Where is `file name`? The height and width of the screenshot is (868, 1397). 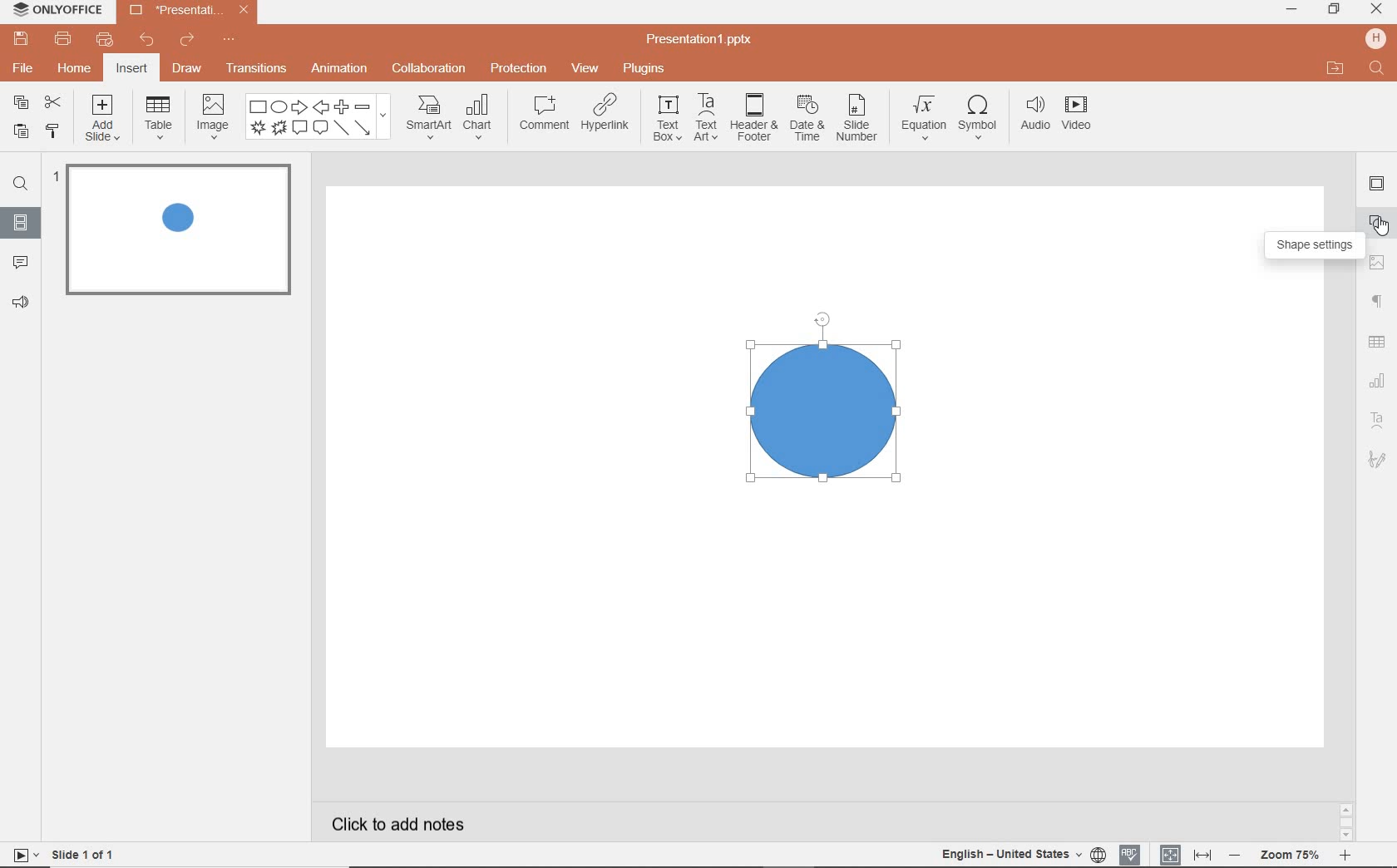 file name is located at coordinates (700, 41).